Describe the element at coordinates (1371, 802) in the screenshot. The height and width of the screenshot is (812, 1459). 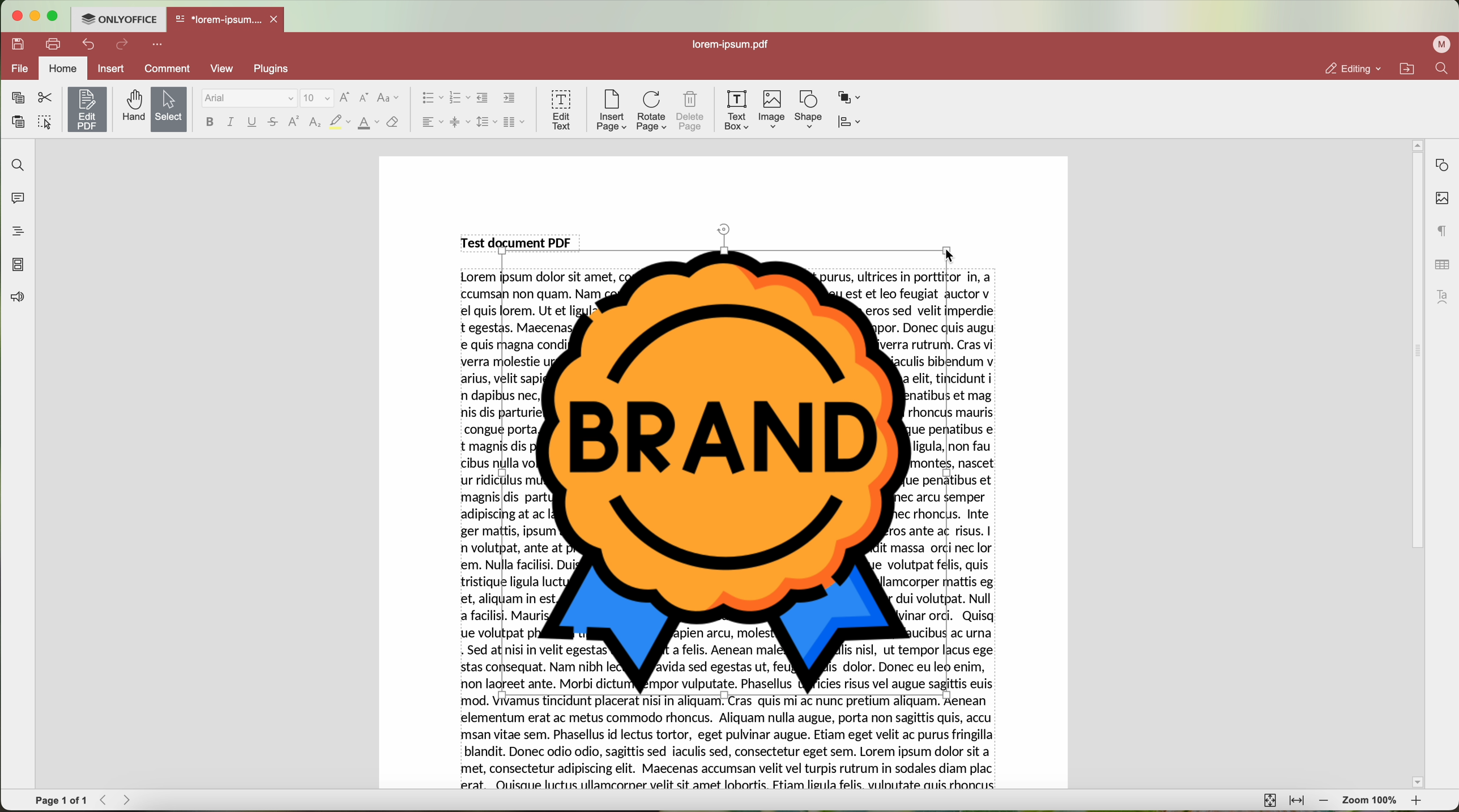
I see `zoom 100%` at that location.